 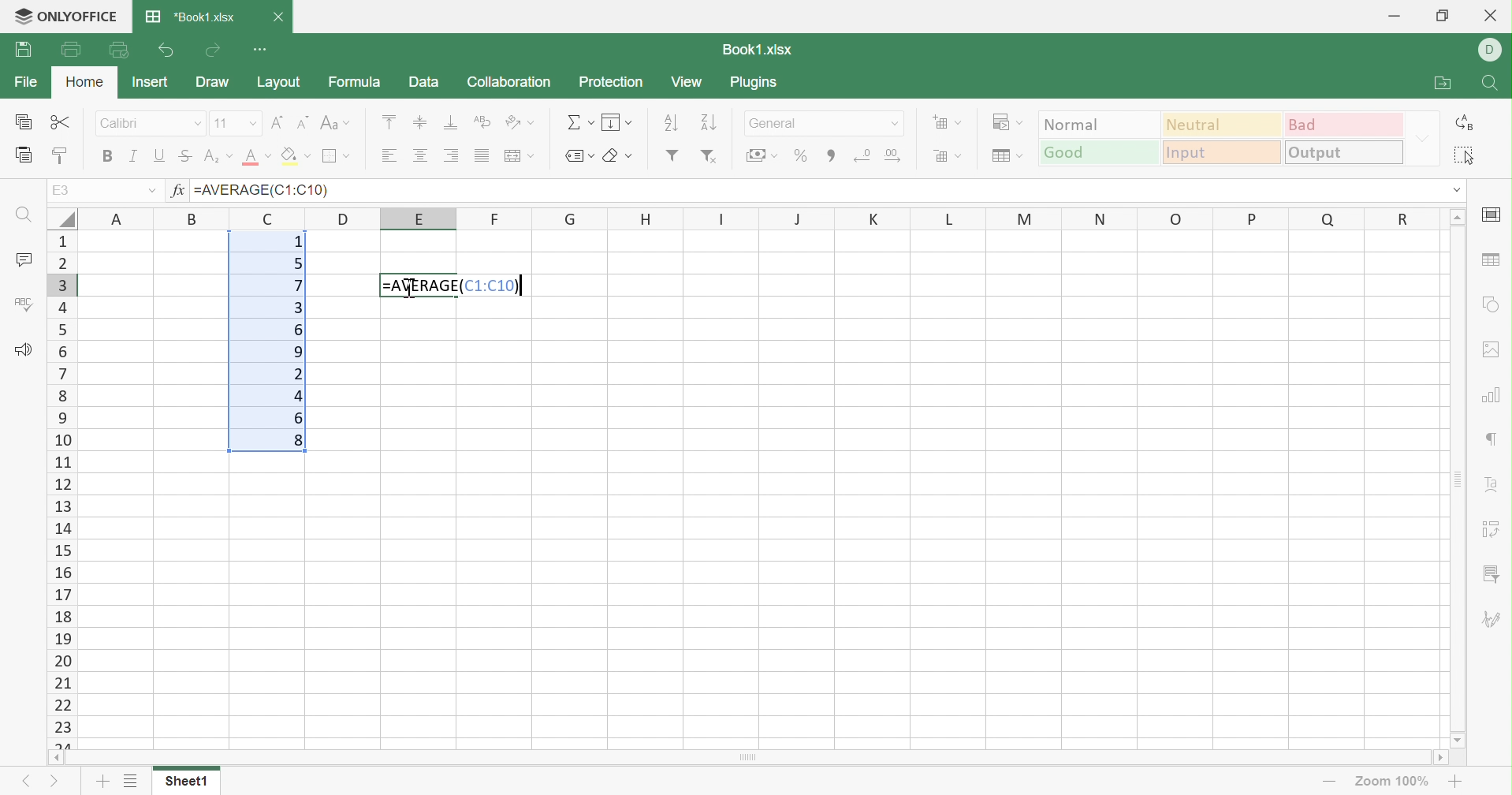 I want to click on Text Art settings, so click(x=1492, y=487).